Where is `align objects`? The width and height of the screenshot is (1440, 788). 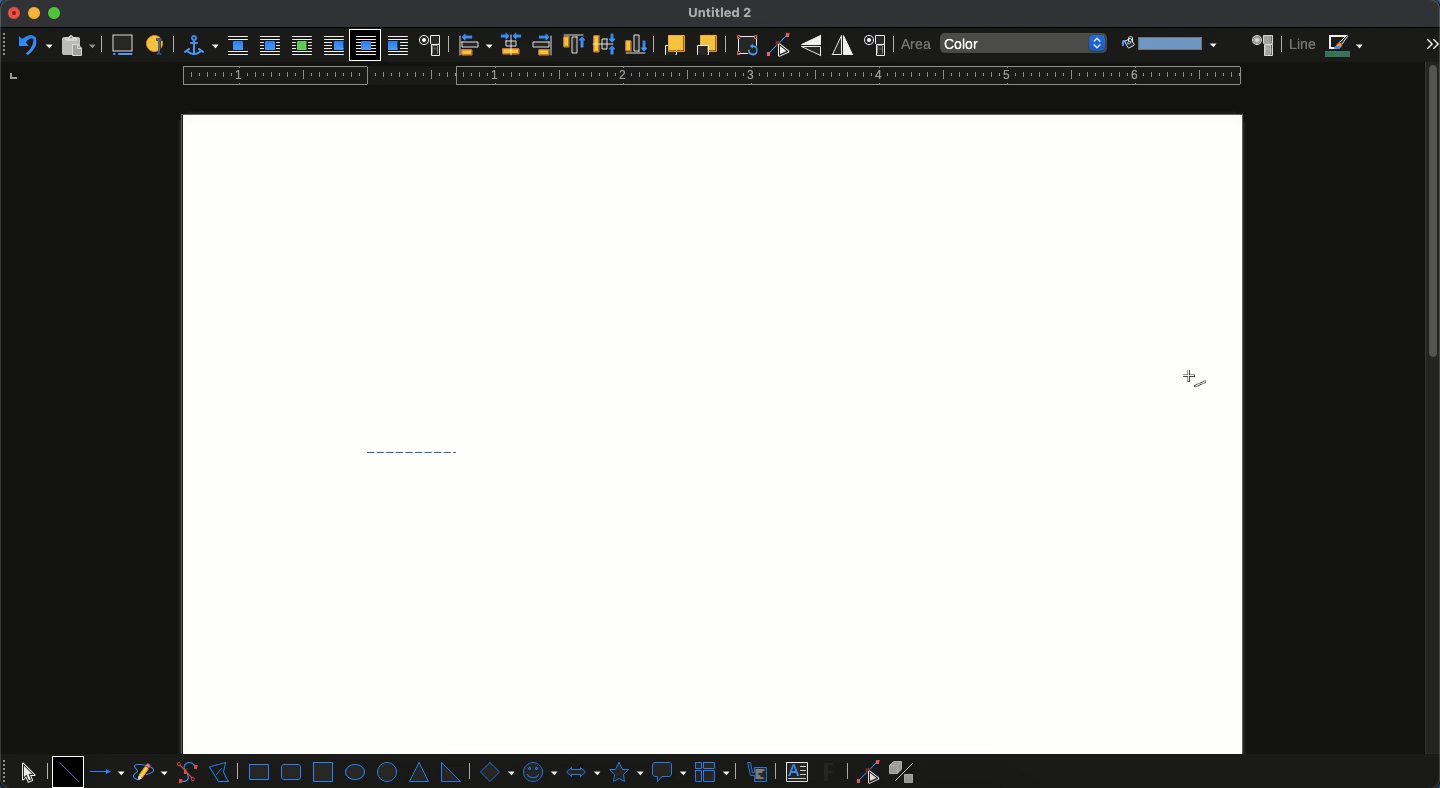 align objects is located at coordinates (475, 45).